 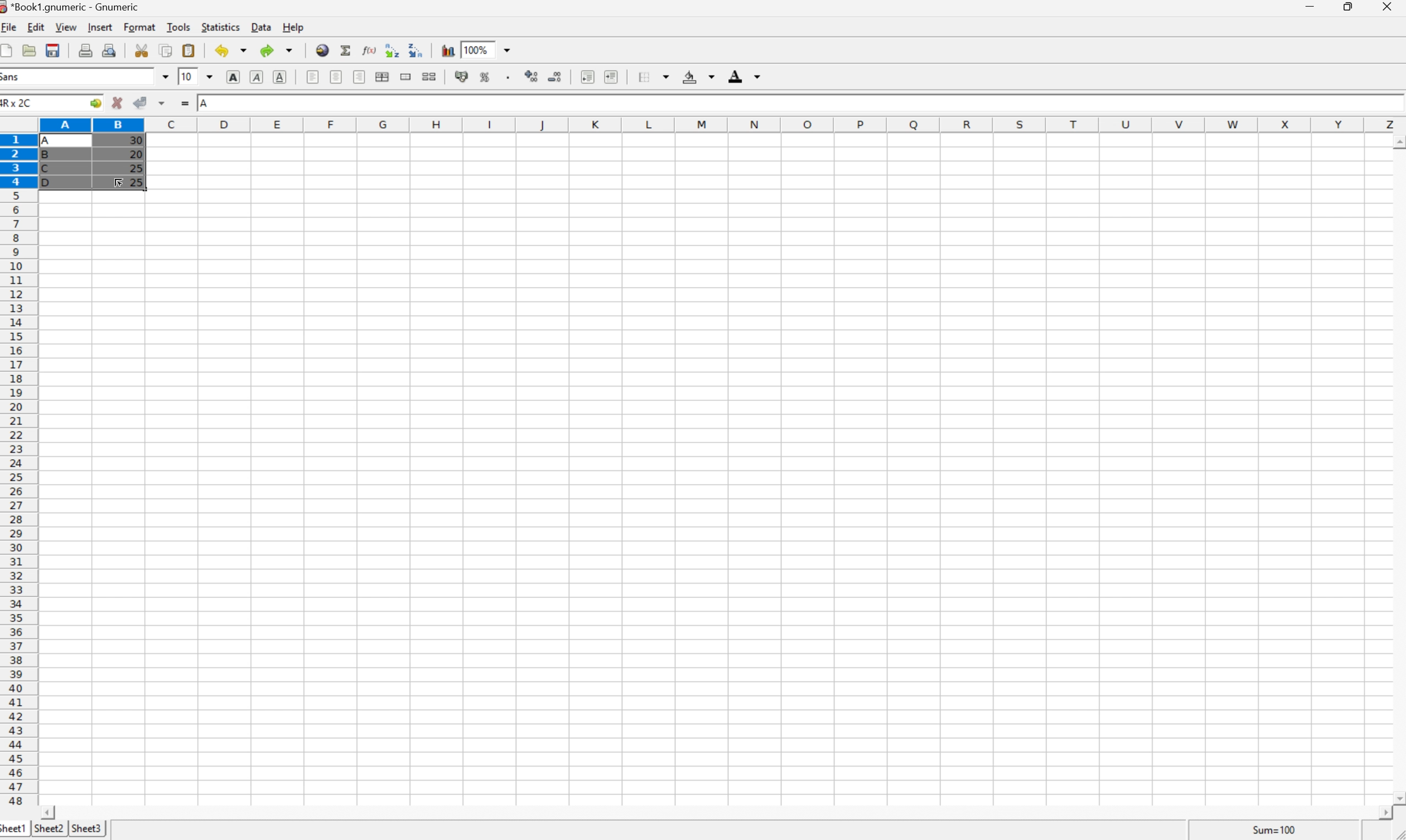 What do you see at coordinates (102, 28) in the screenshot?
I see `Insert` at bounding box center [102, 28].